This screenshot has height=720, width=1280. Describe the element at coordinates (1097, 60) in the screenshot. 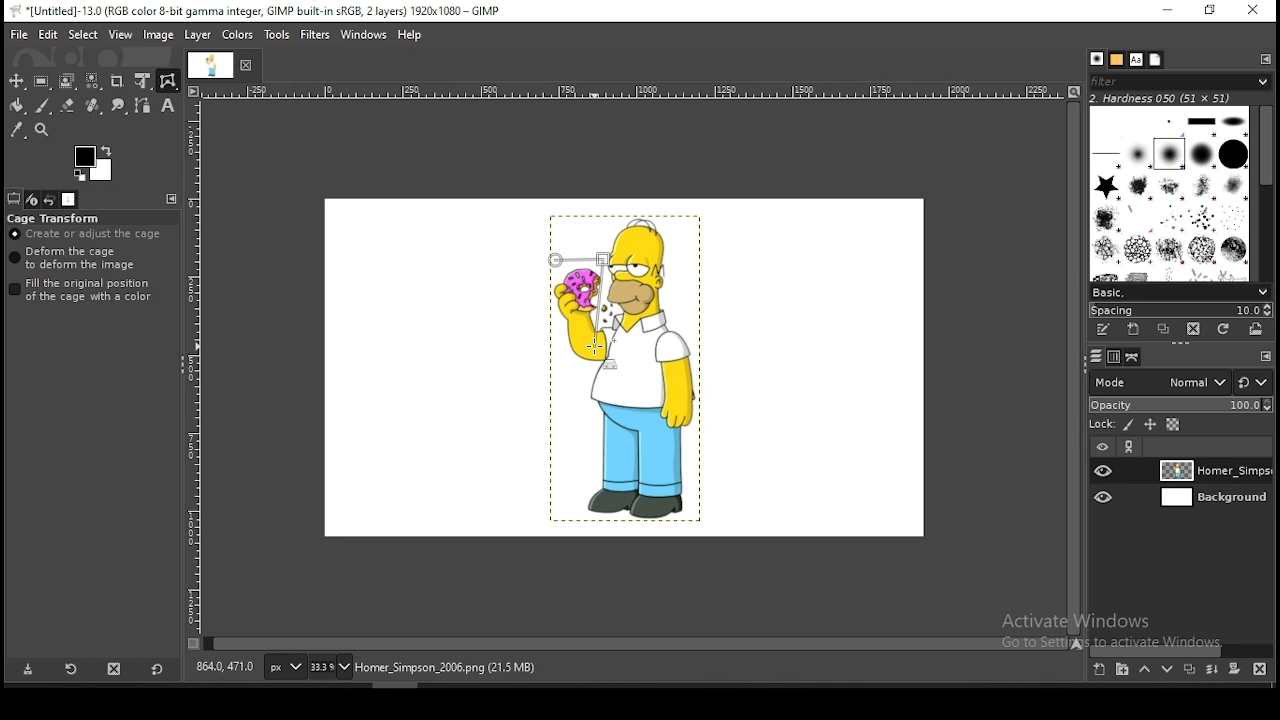

I see `brushes` at that location.